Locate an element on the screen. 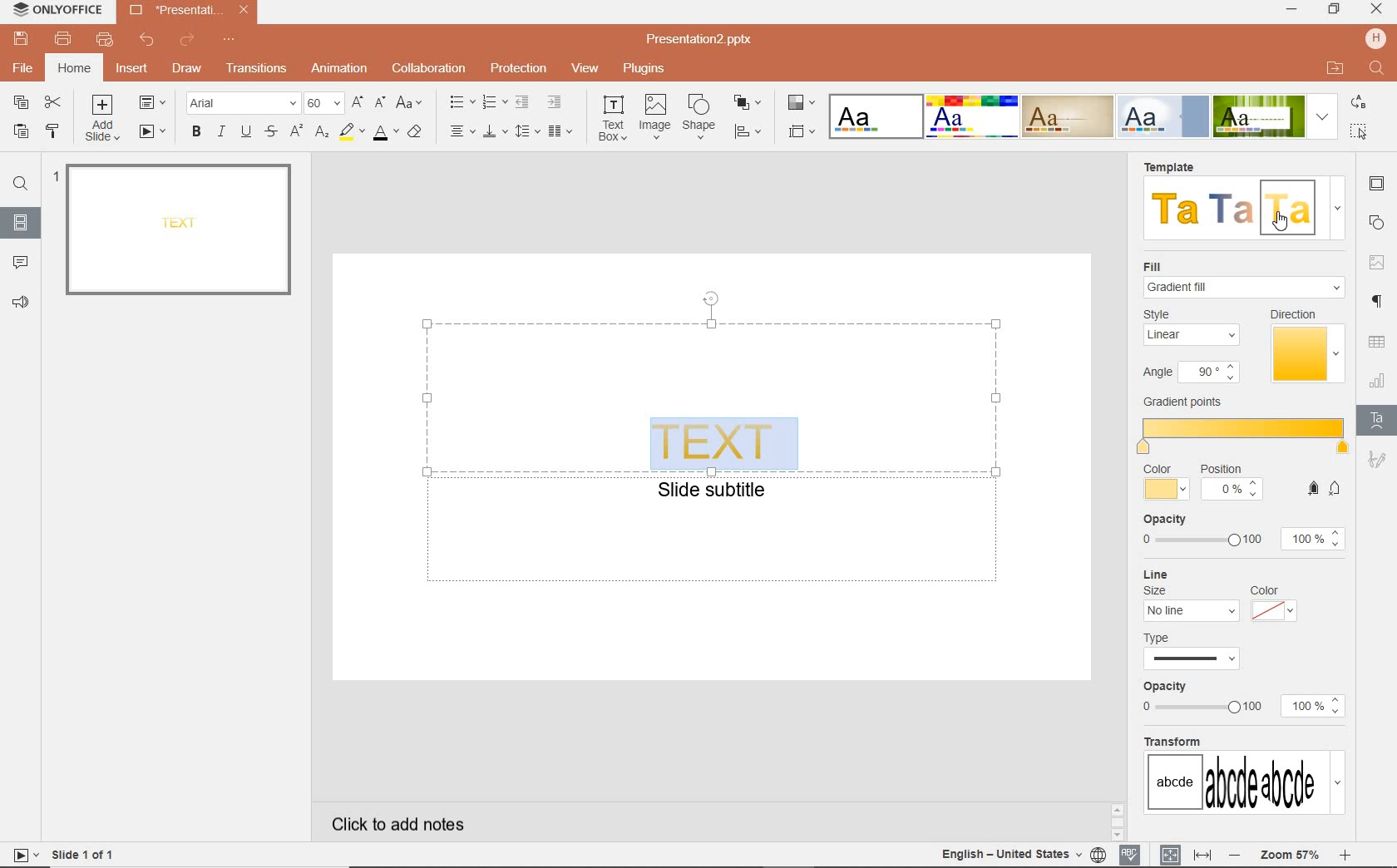 The height and width of the screenshot is (868, 1397). DECREMENT FONT SIZE is located at coordinates (381, 104).